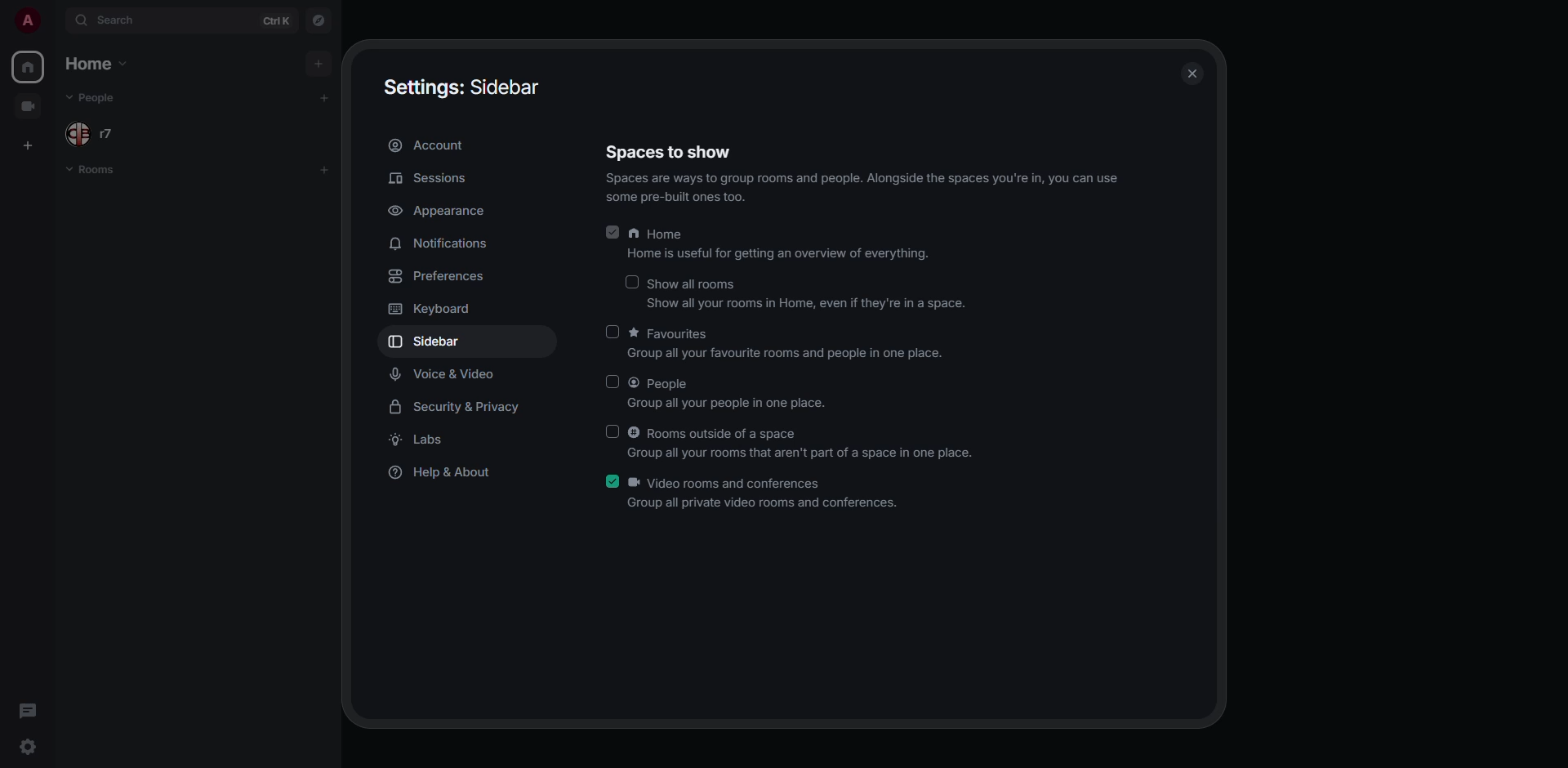 The image size is (1568, 768). Describe the element at coordinates (612, 483) in the screenshot. I see `enabled` at that location.